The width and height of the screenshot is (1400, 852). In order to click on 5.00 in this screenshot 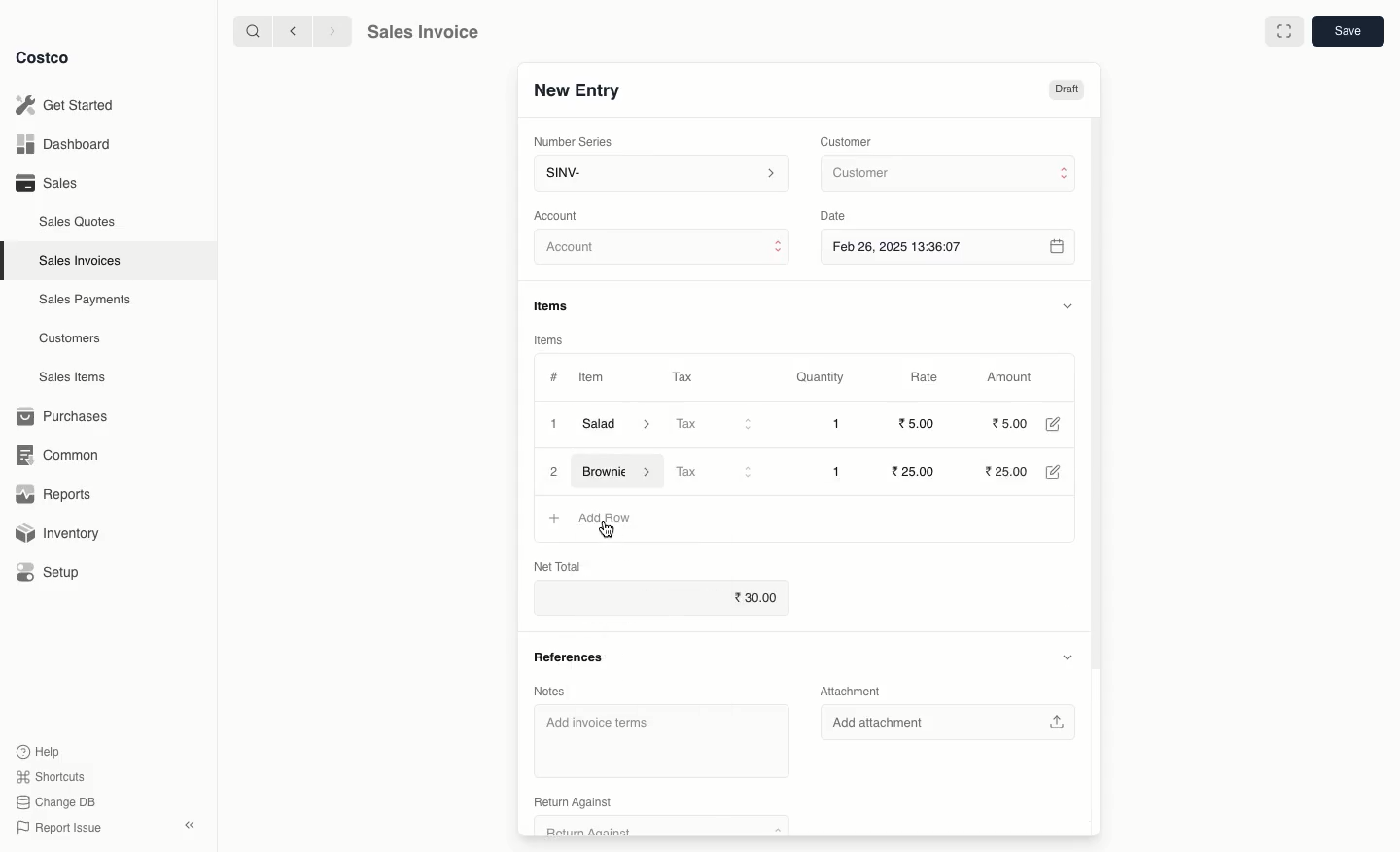, I will do `click(1010, 423)`.